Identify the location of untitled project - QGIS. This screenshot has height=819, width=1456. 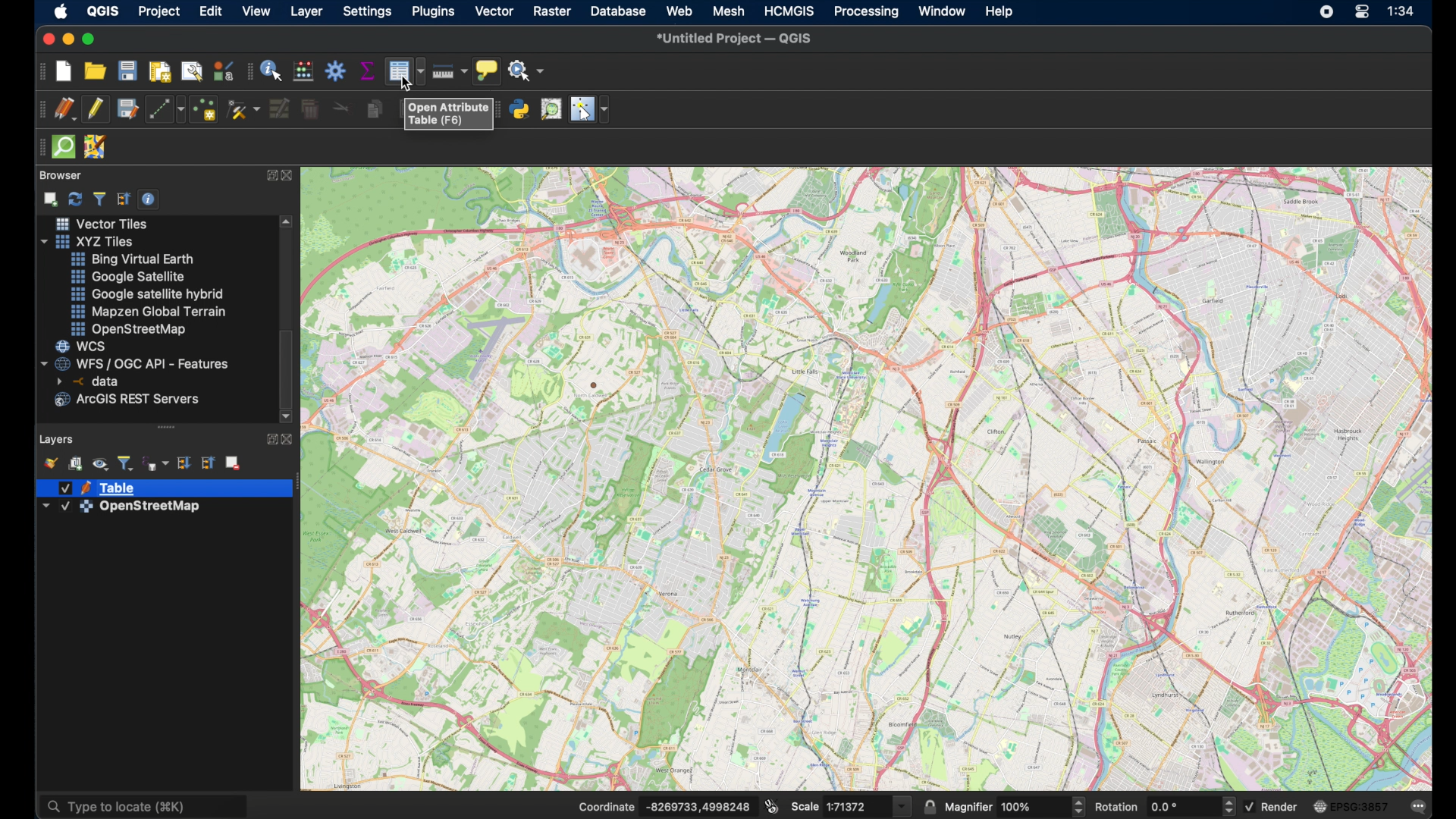
(736, 39).